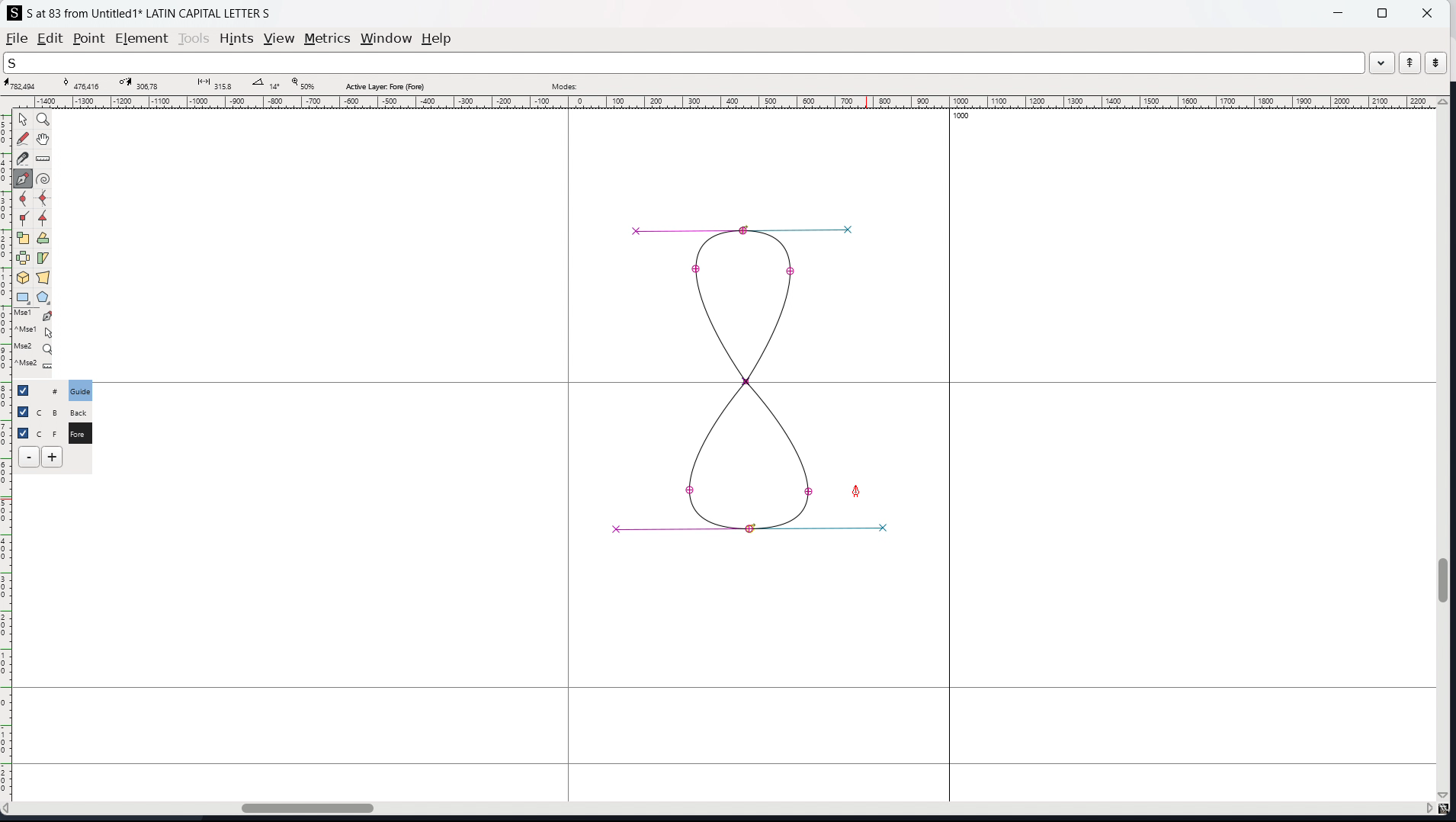 Image resolution: width=1456 pixels, height=822 pixels. Describe the element at coordinates (386, 39) in the screenshot. I see `window` at that location.